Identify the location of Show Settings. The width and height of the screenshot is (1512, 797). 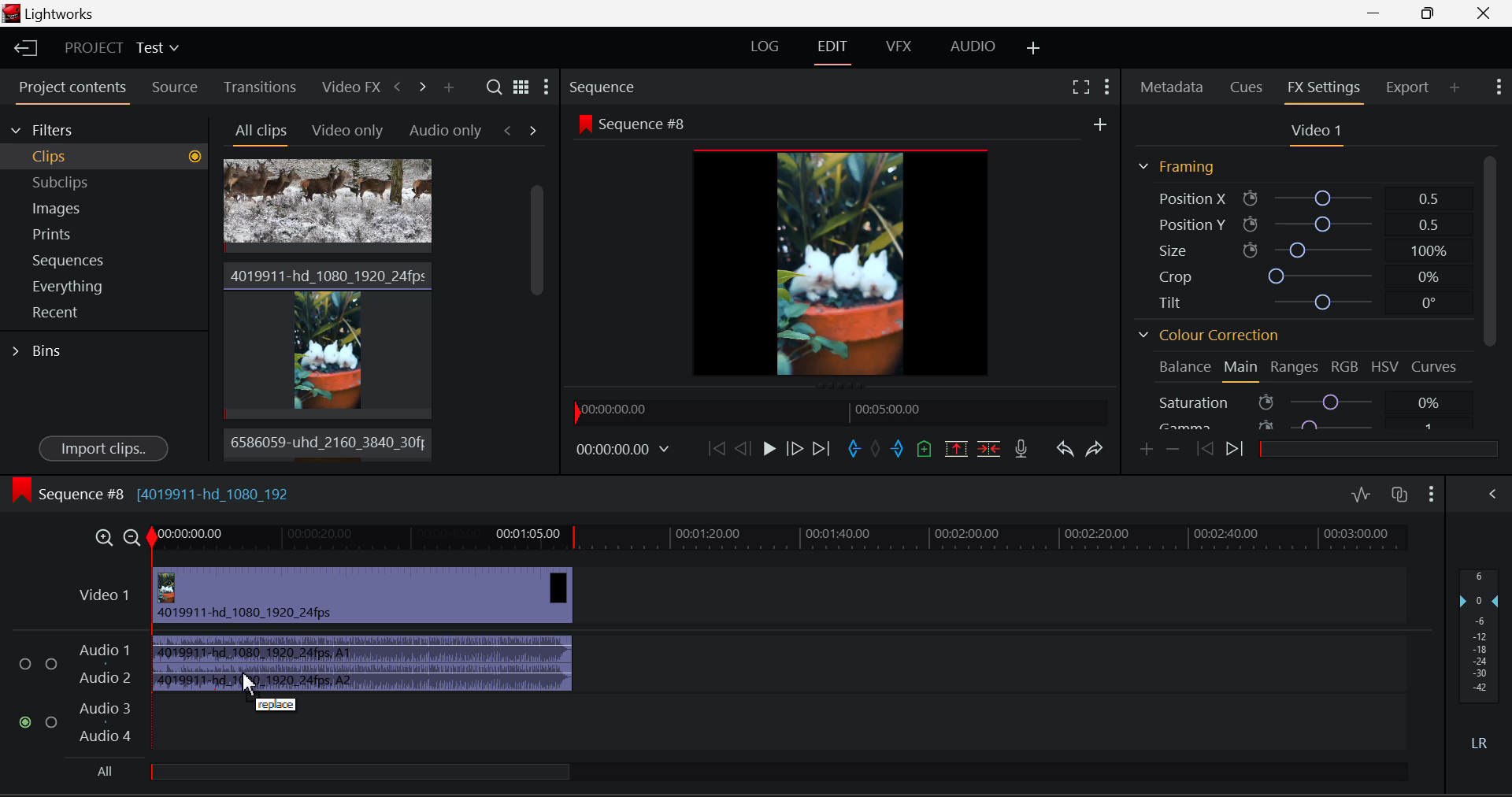
(1107, 86).